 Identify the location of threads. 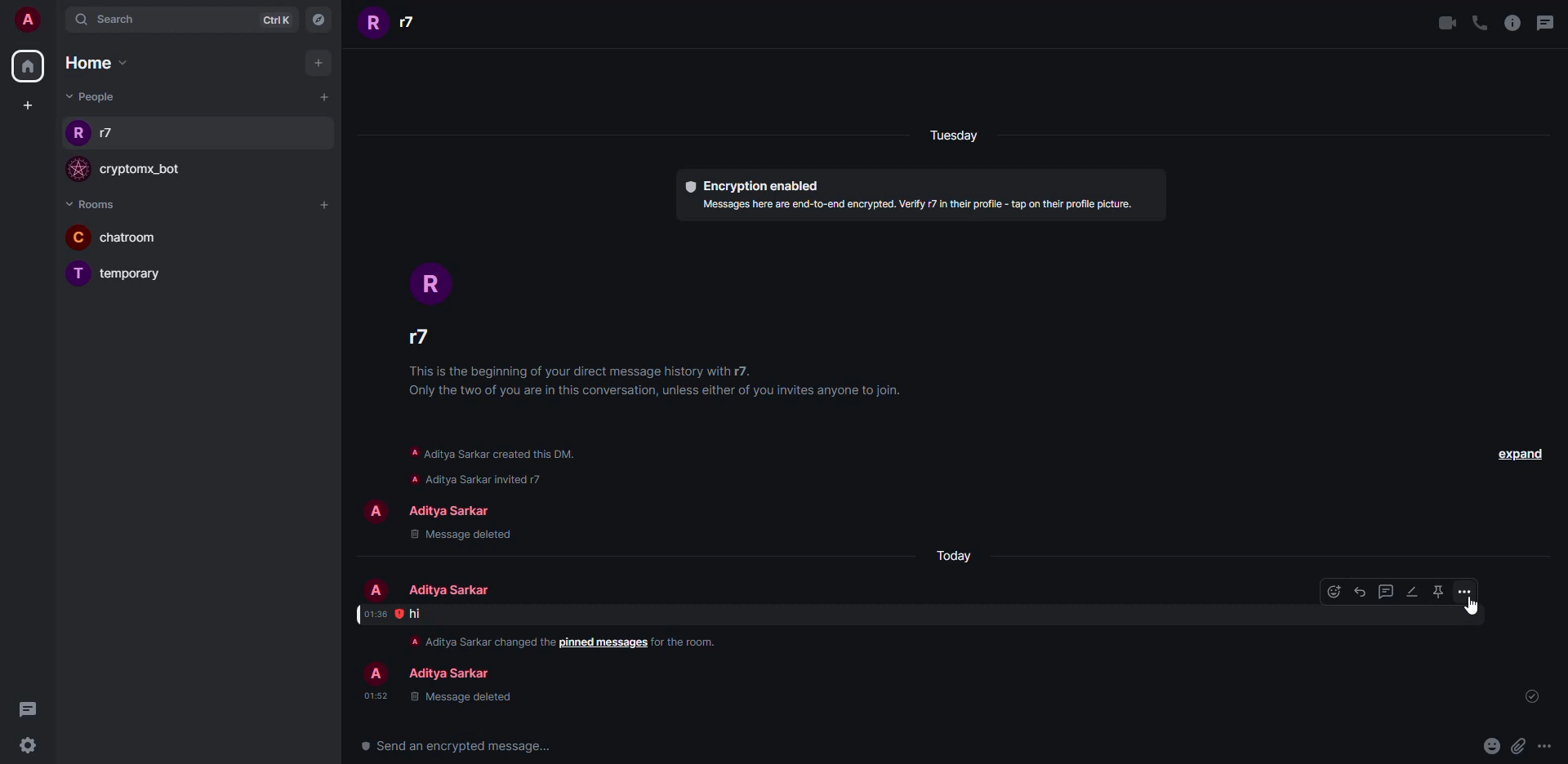
(1548, 22).